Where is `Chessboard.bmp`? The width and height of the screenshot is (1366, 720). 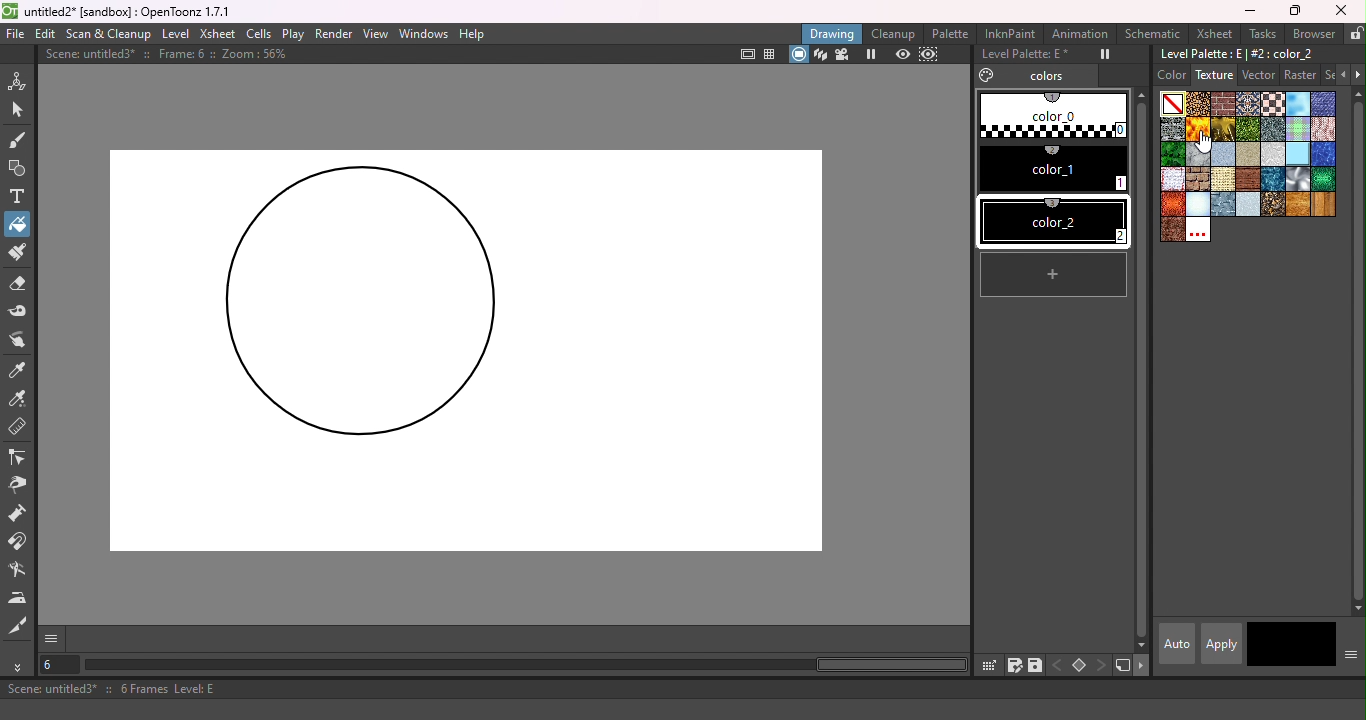 Chessboard.bmp is located at coordinates (1273, 104).